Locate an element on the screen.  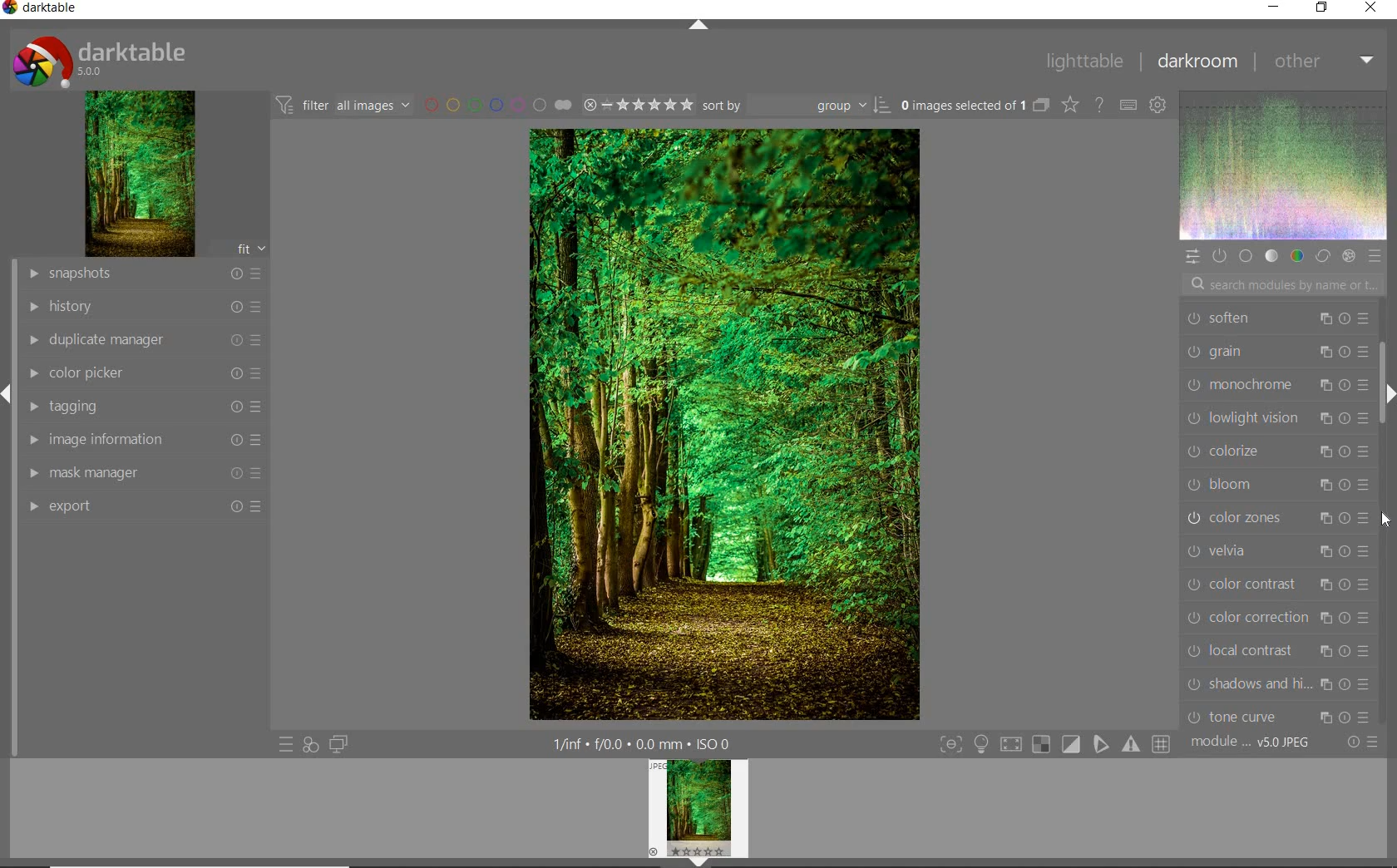
CORRECT is located at coordinates (1323, 257).